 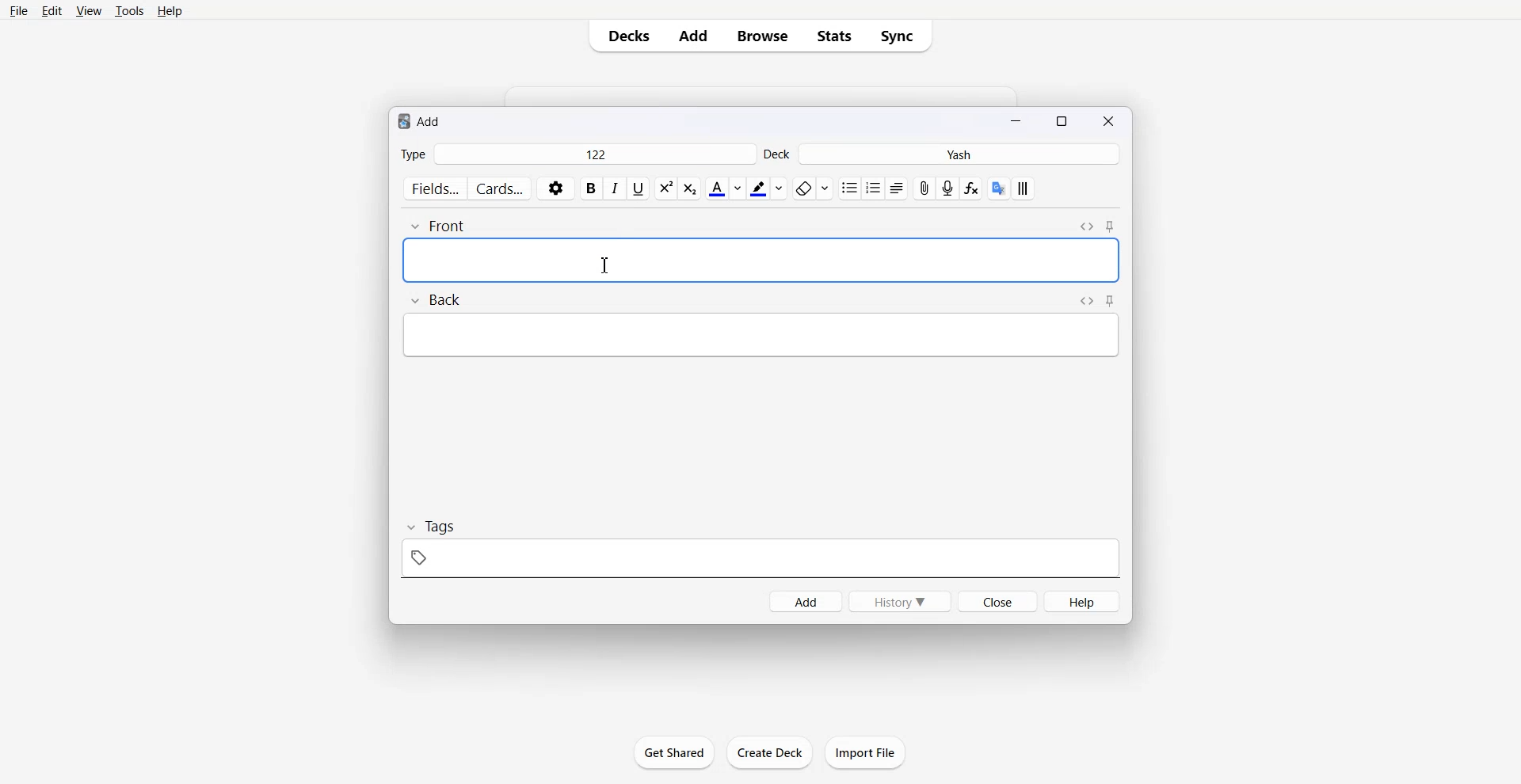 What do you see at coordinates (594, 154) in the screenshot?
I see `122` at bounding box center [594, 154].